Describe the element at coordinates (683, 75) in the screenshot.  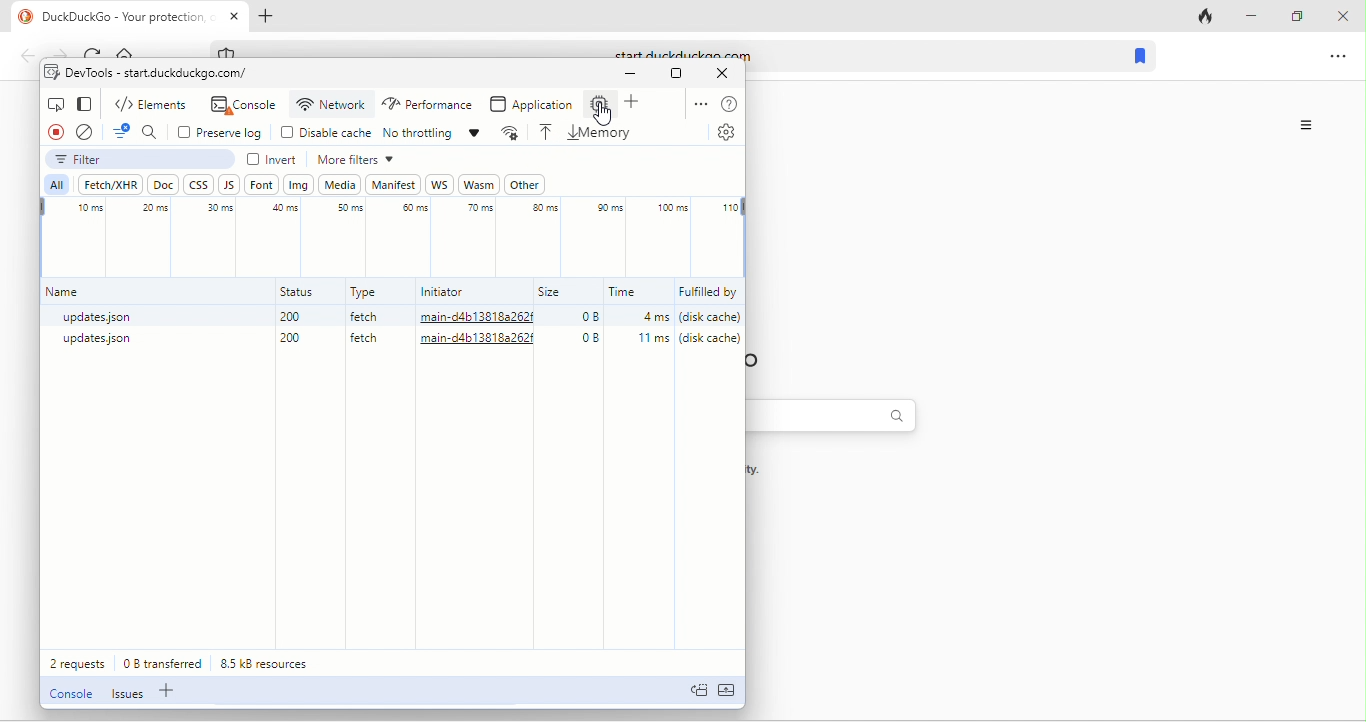
I see `maximize` at that location.